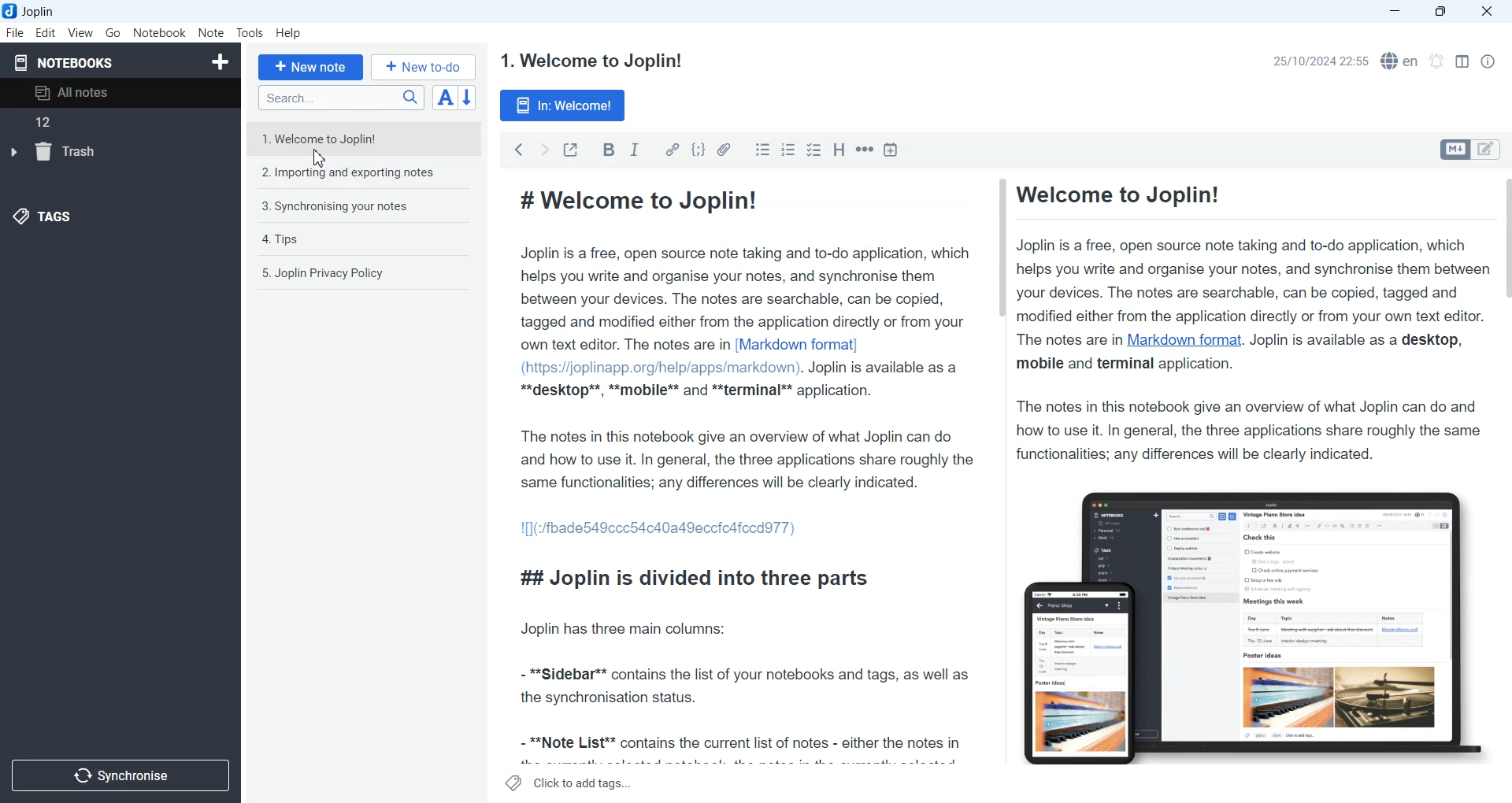  Describe the element at coordinates (816, 150) in the screenshot. I see `Checkbox` at that location.